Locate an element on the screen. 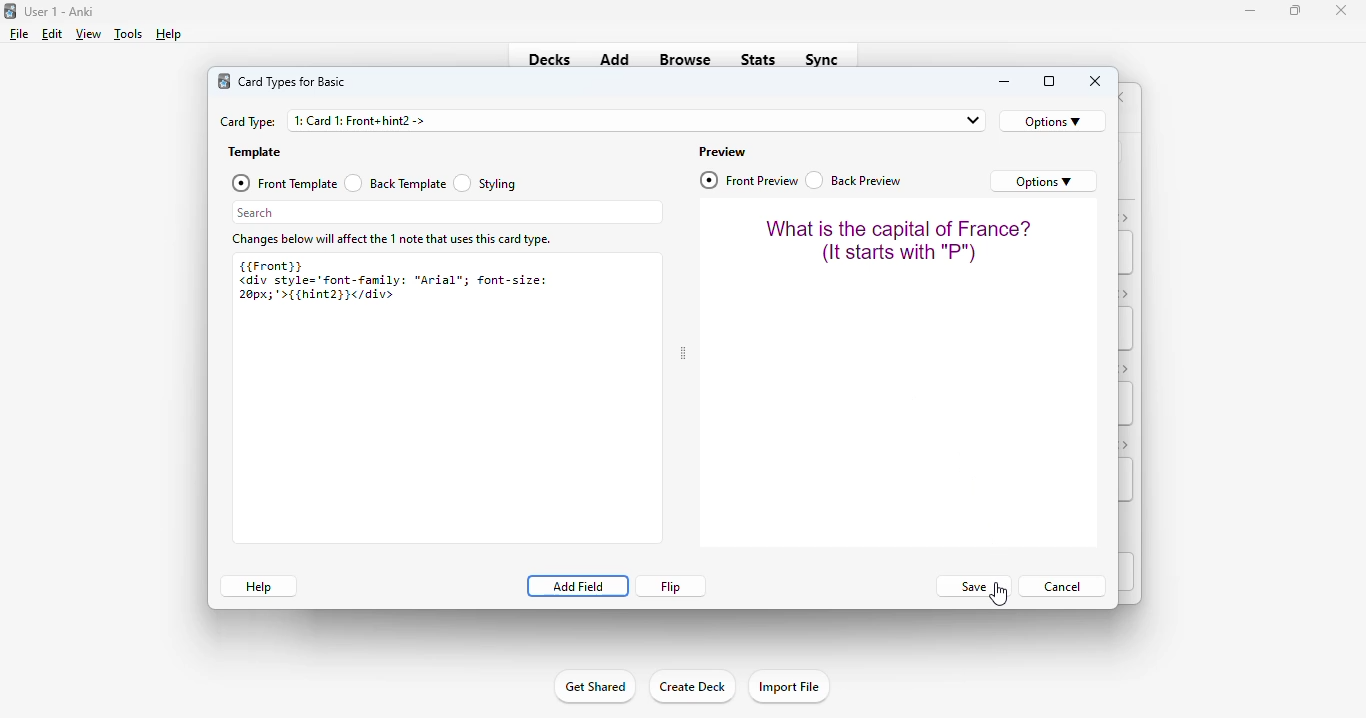  template is located at coordinates (255, 153).